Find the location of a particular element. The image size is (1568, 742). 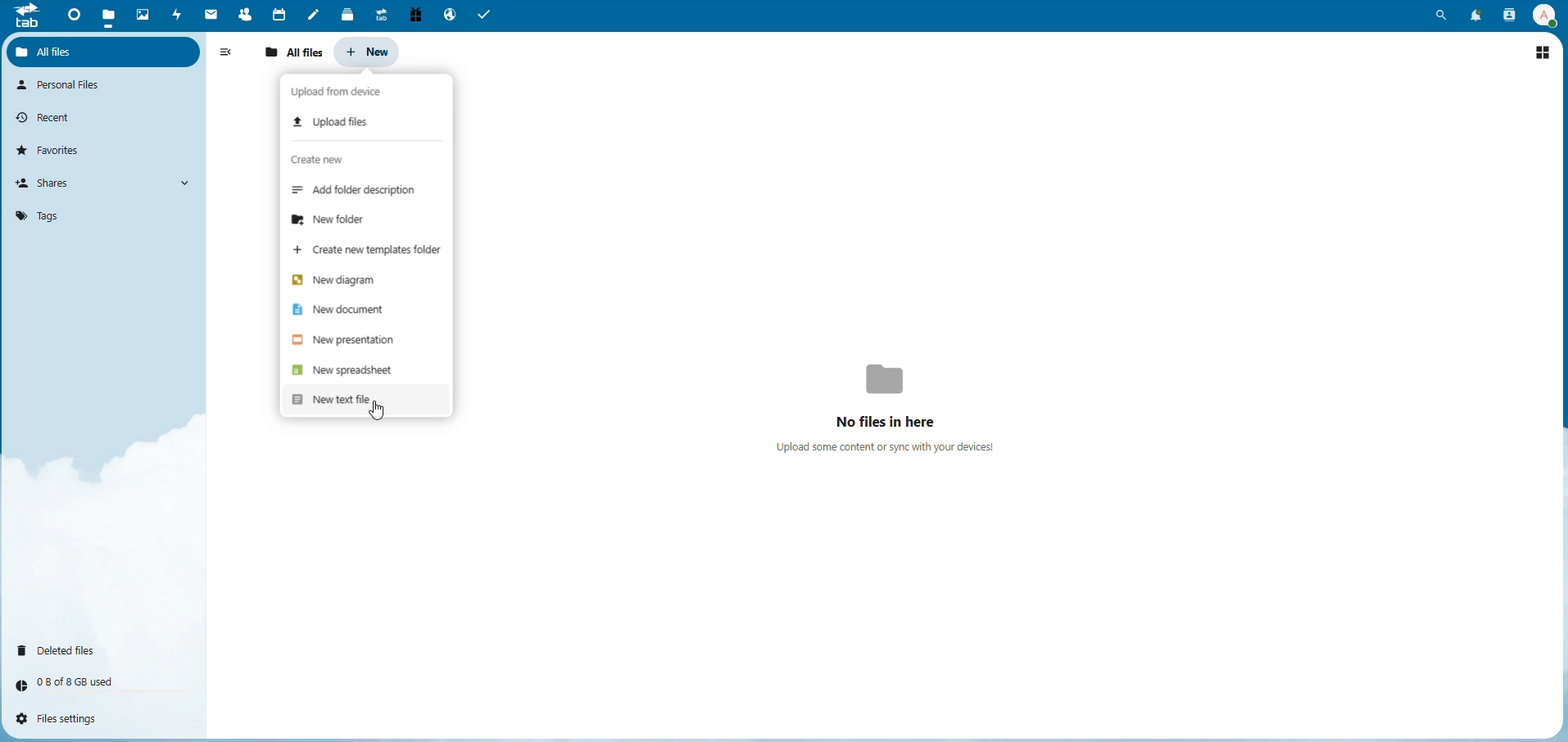

Notes is located at coordinates (314, 14).